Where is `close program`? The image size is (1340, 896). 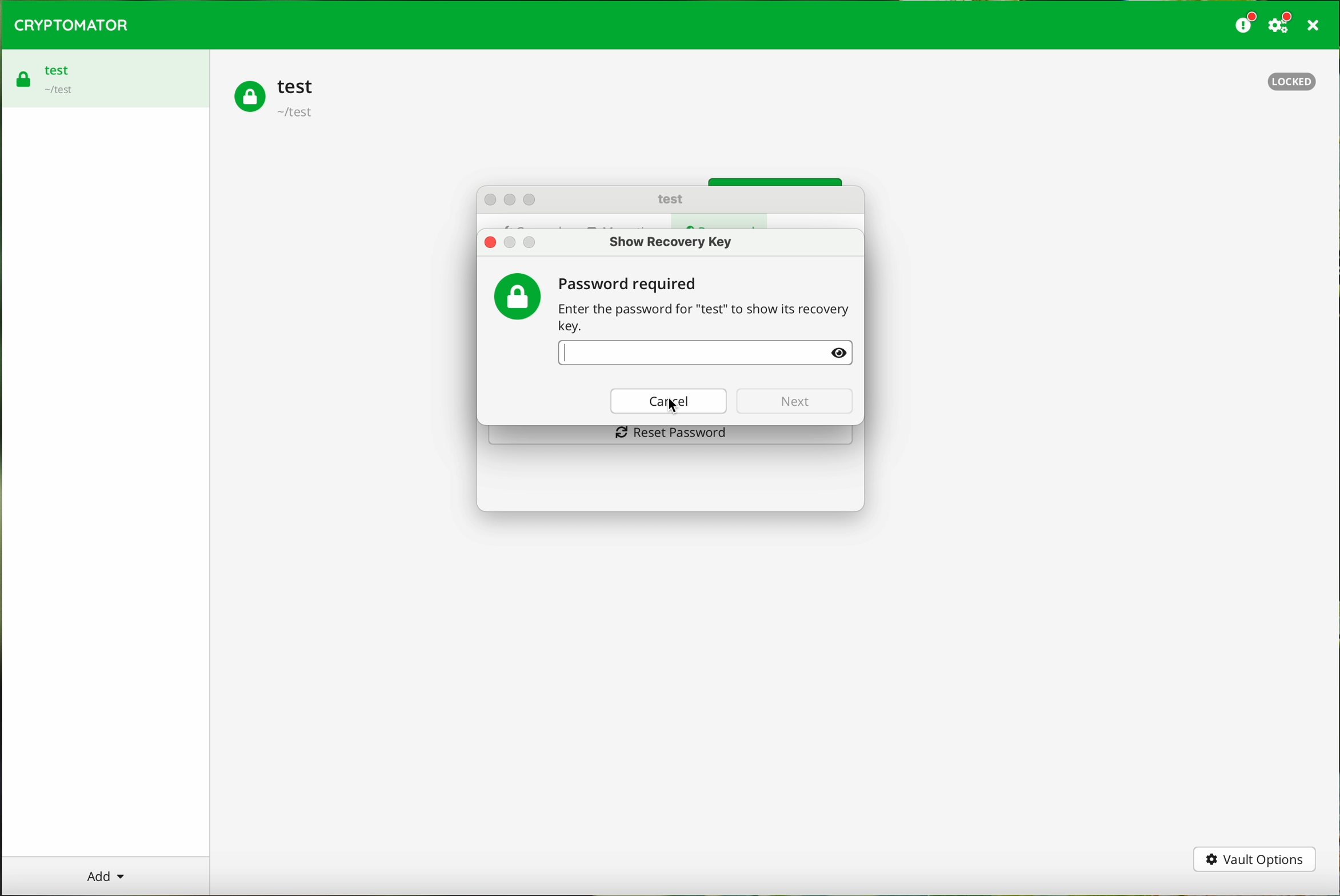
close program is located at coordinates (1317, 25).